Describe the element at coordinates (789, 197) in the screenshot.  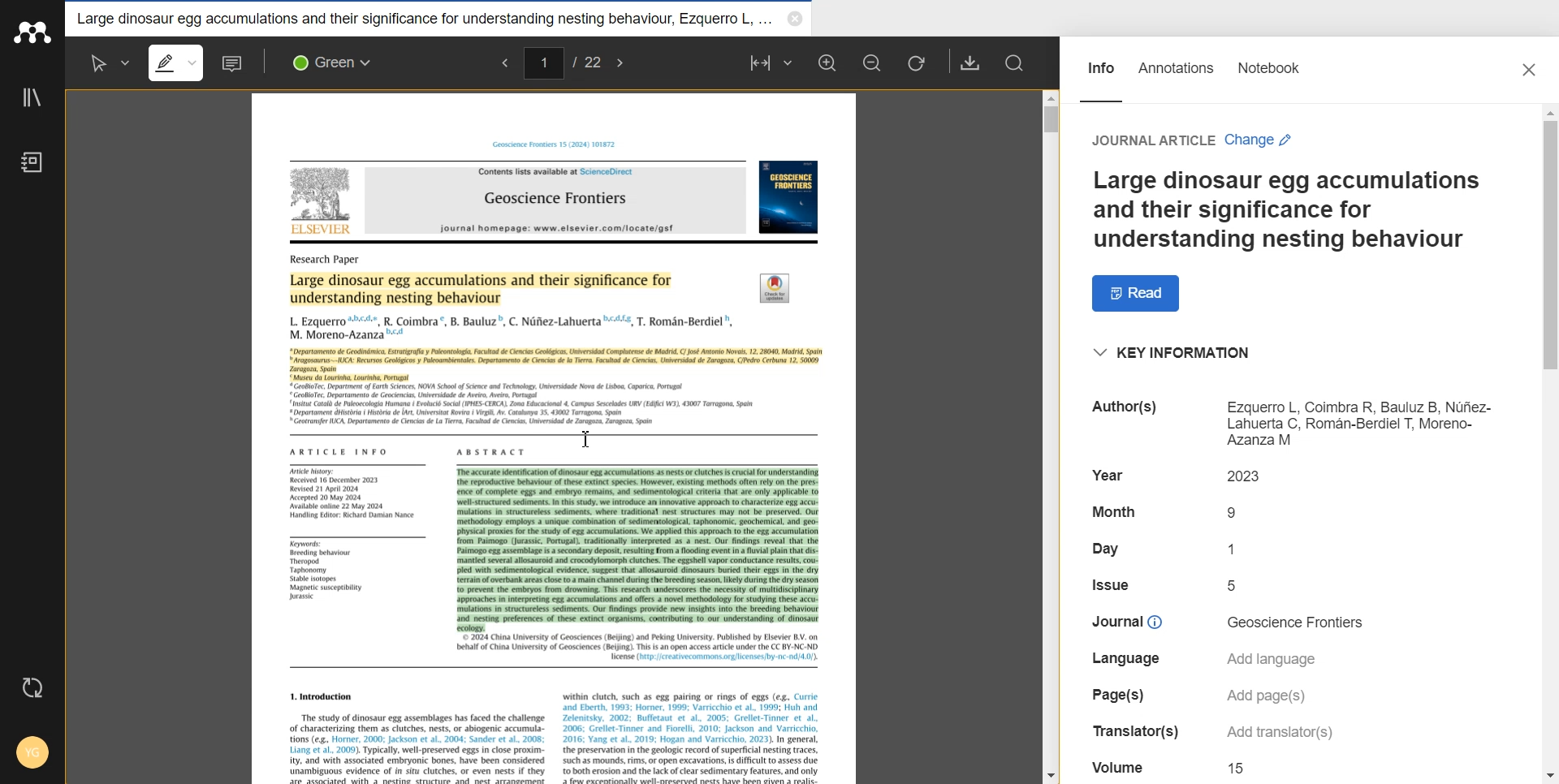
I see `image` at that location.